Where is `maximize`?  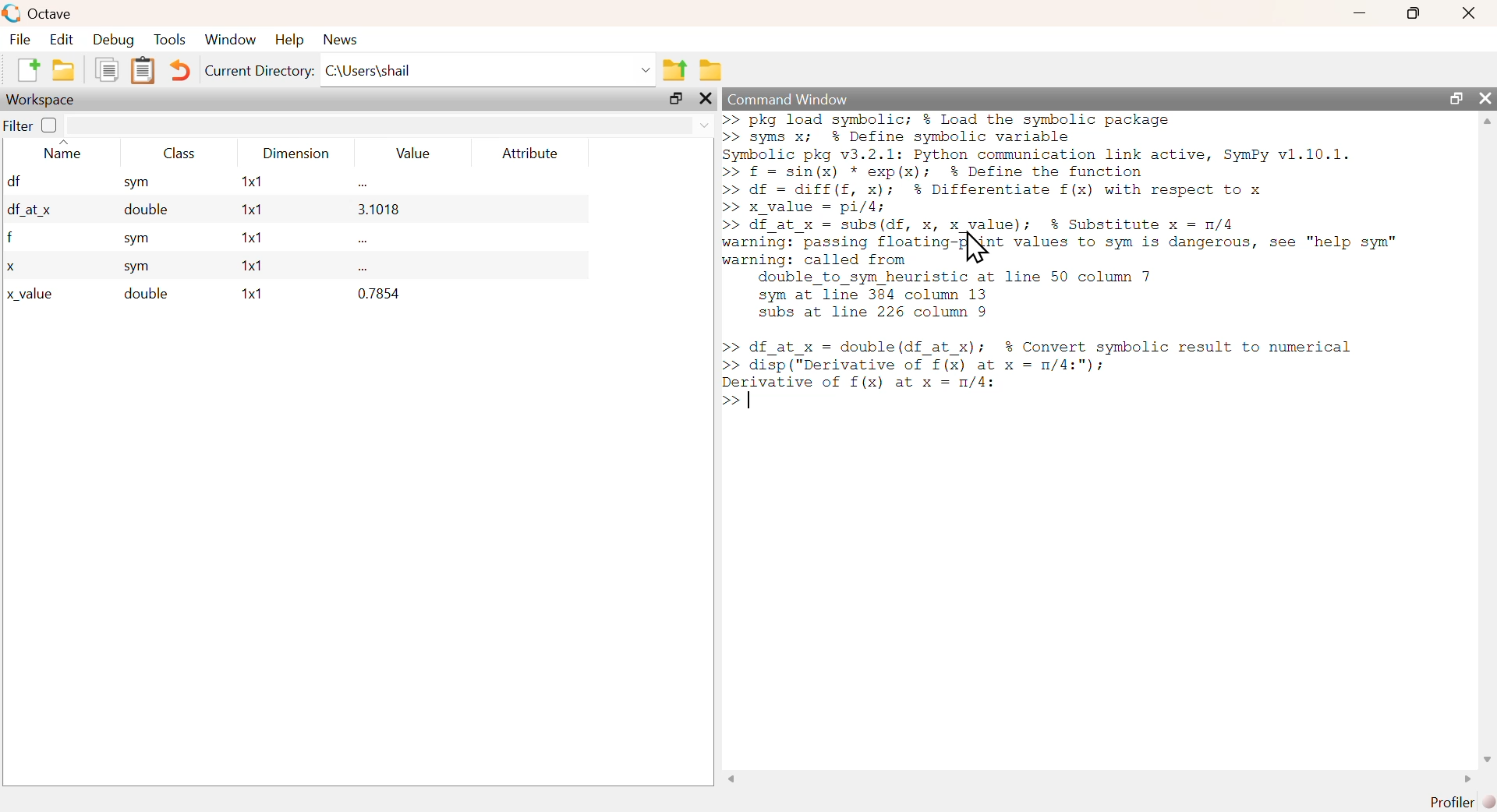
maximize is located at coordinates (675, 99).